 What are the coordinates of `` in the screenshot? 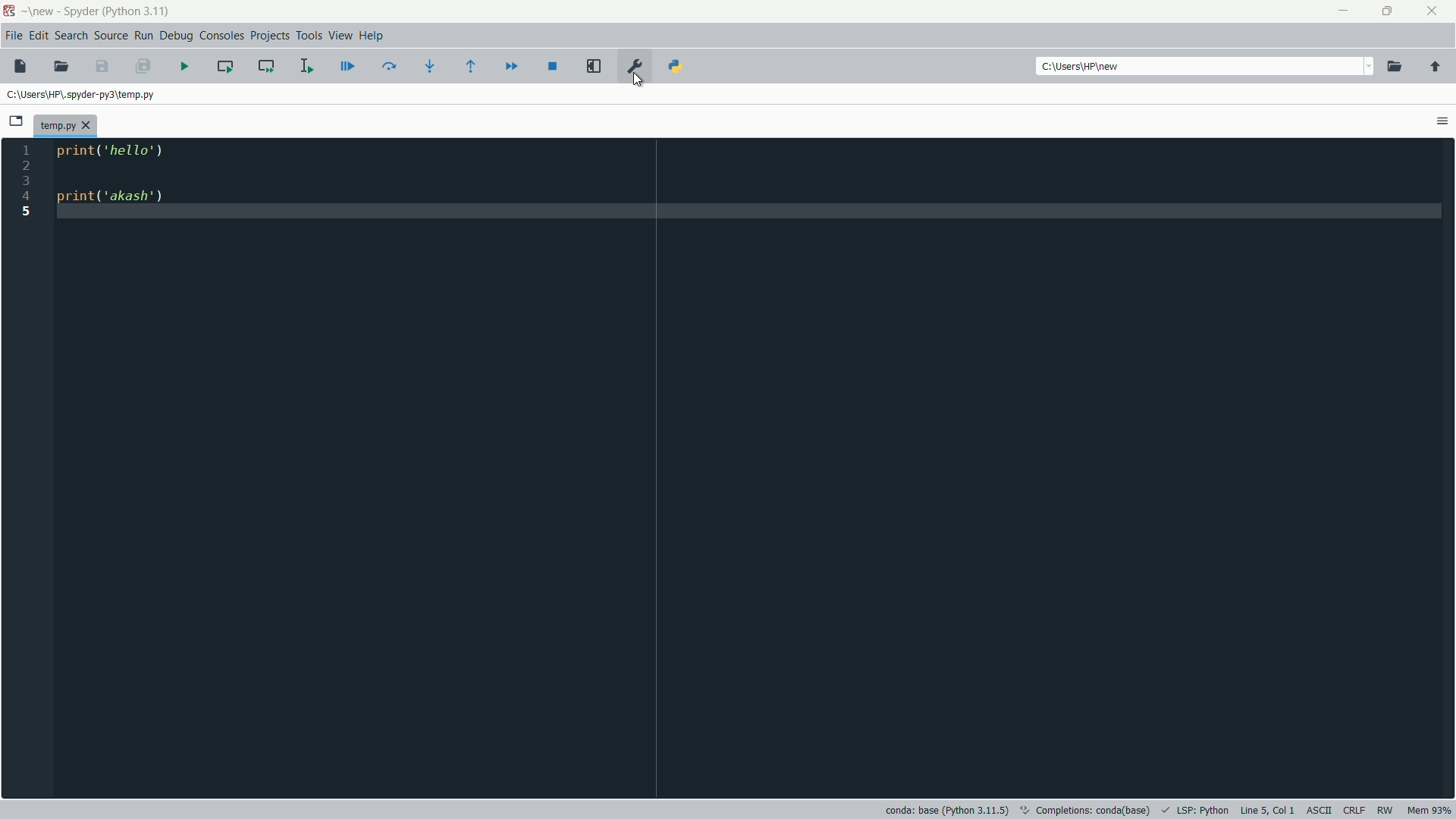 It's located at (639, 83).